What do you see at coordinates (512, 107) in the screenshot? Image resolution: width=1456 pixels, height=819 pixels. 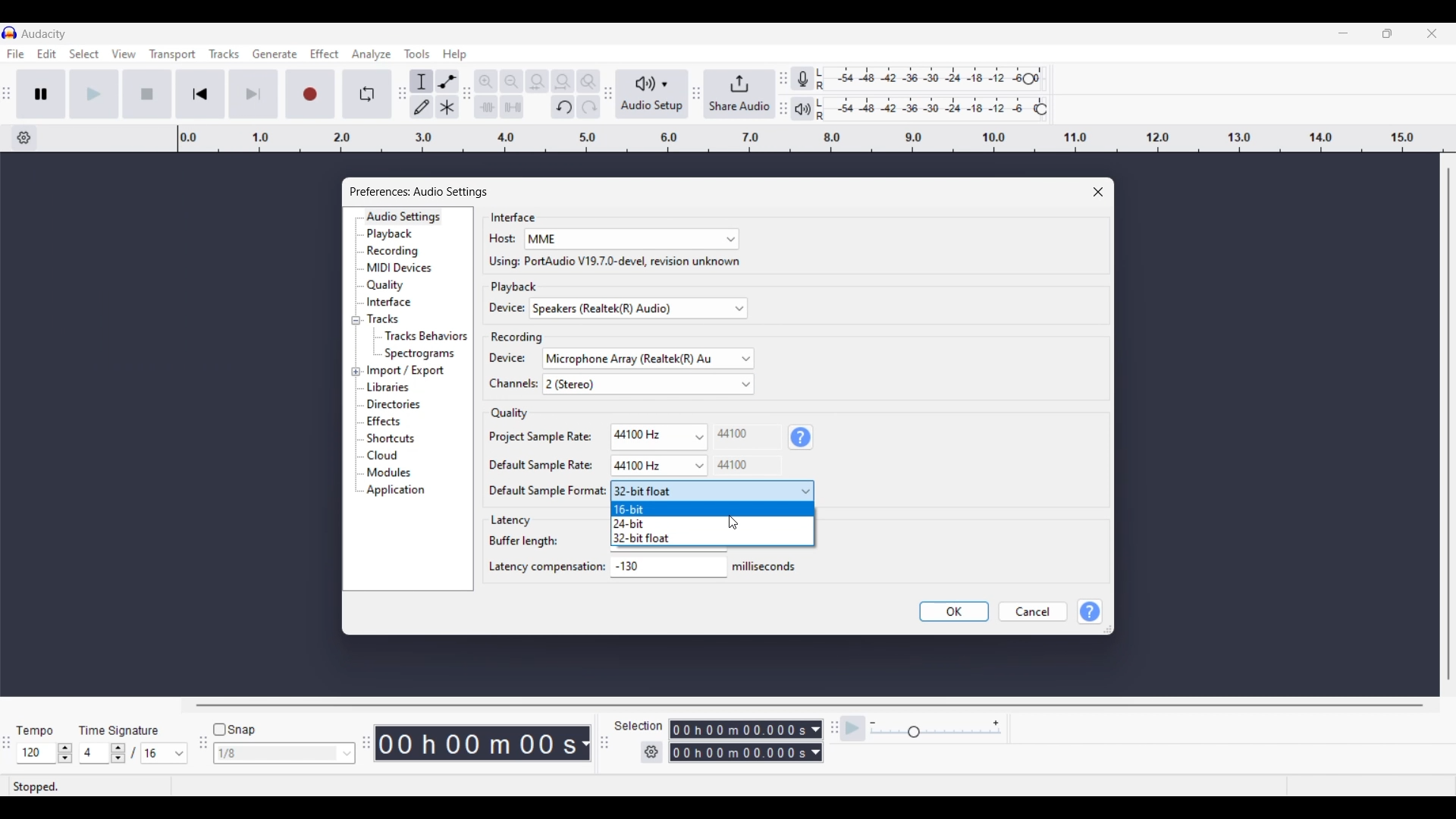 I see `Silence audio selection` at bounding box center [512, 107].